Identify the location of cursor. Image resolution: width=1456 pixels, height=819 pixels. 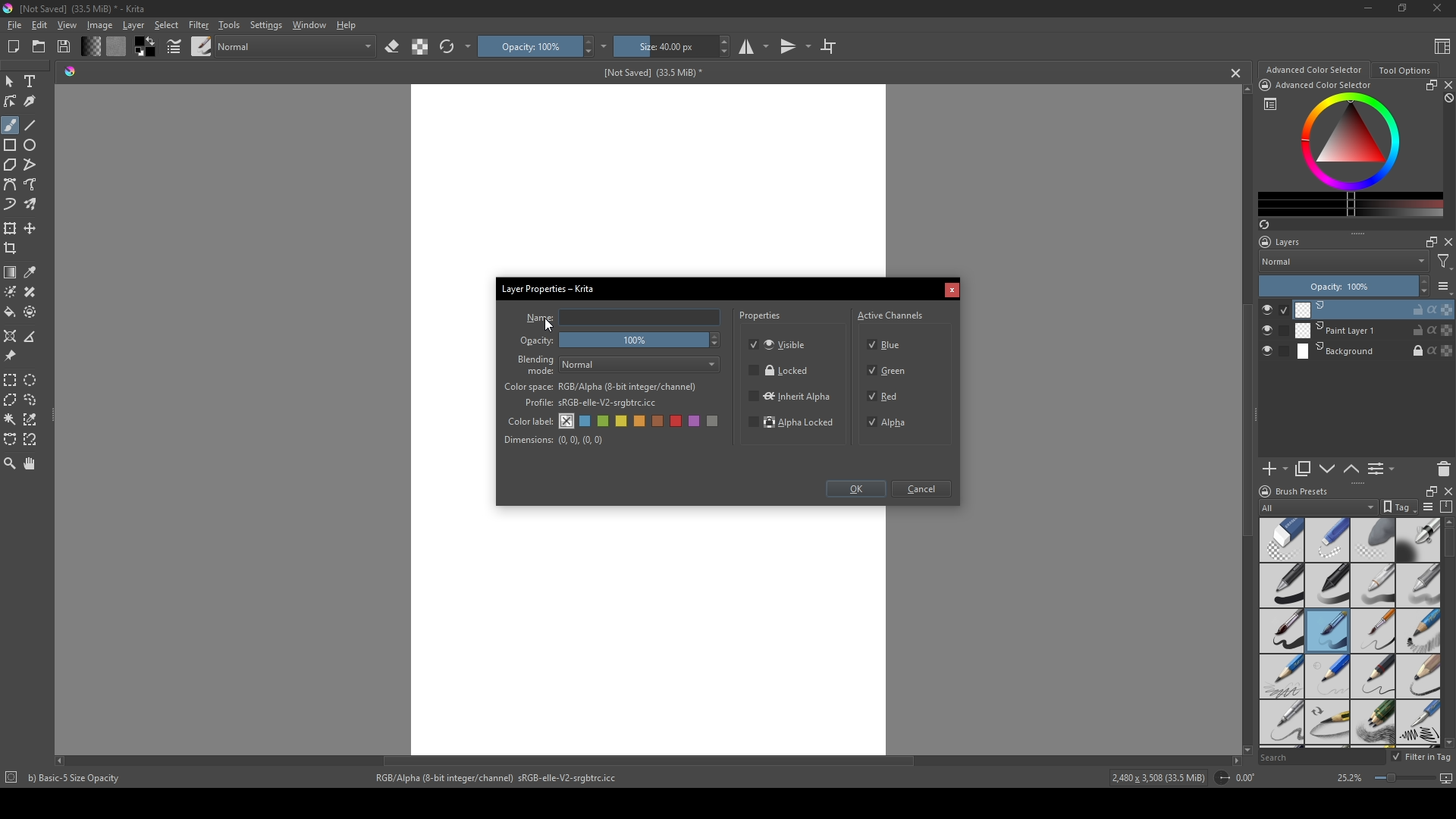
(550, 324).